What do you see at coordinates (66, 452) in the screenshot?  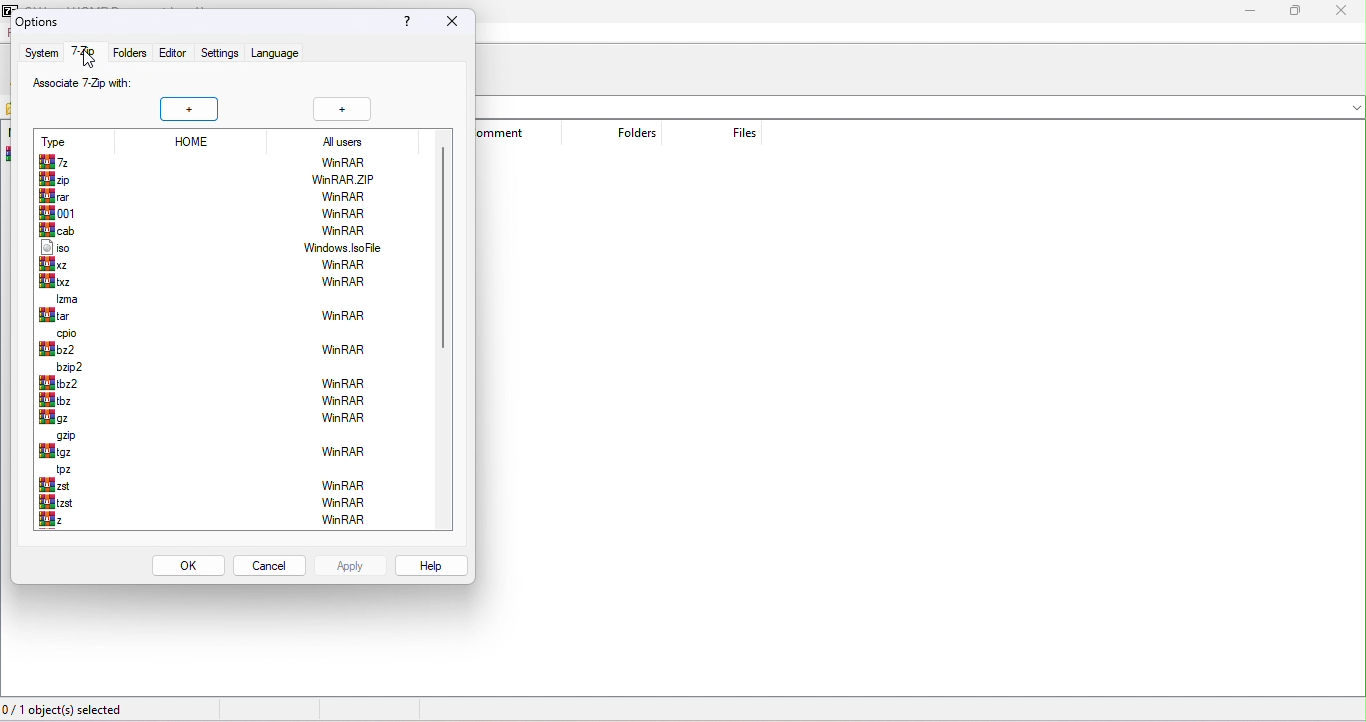 I see `tgz` at bounding box center [66, 452].